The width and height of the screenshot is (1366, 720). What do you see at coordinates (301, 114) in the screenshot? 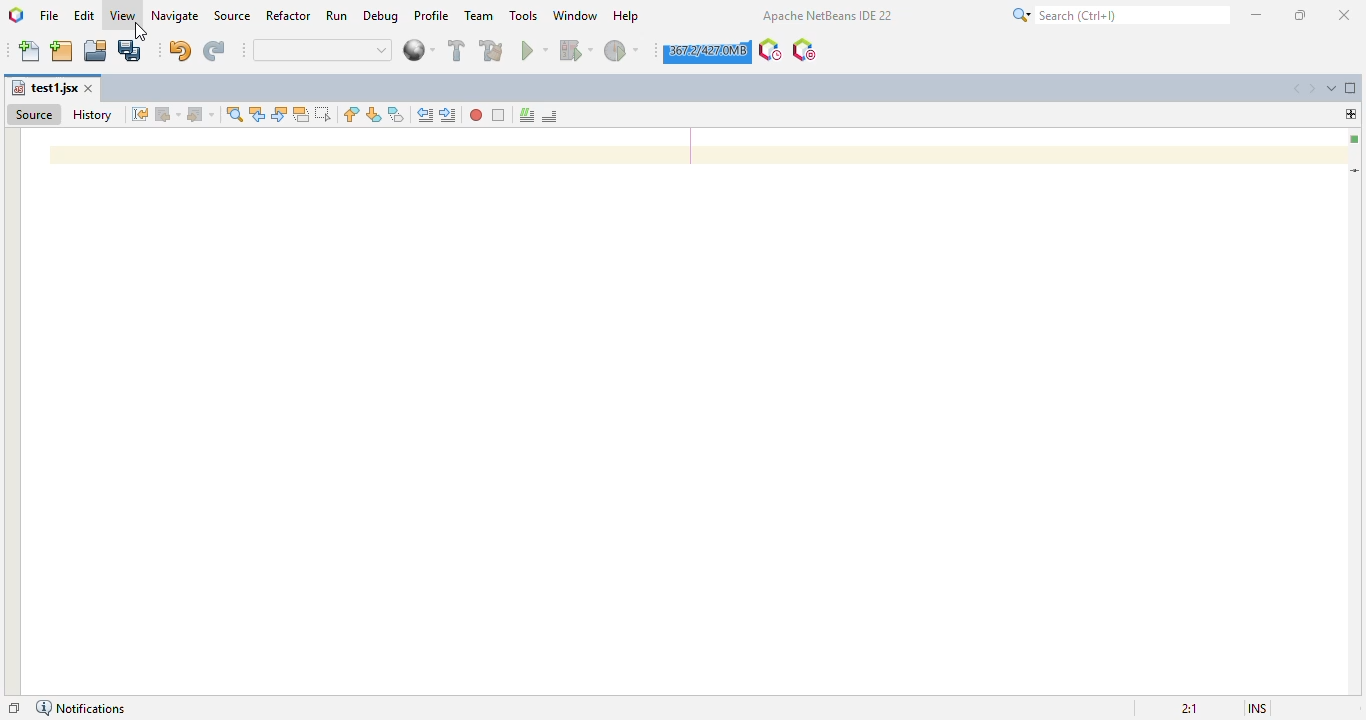
I see `toggle highlight search` at bounding box center [301, 114].